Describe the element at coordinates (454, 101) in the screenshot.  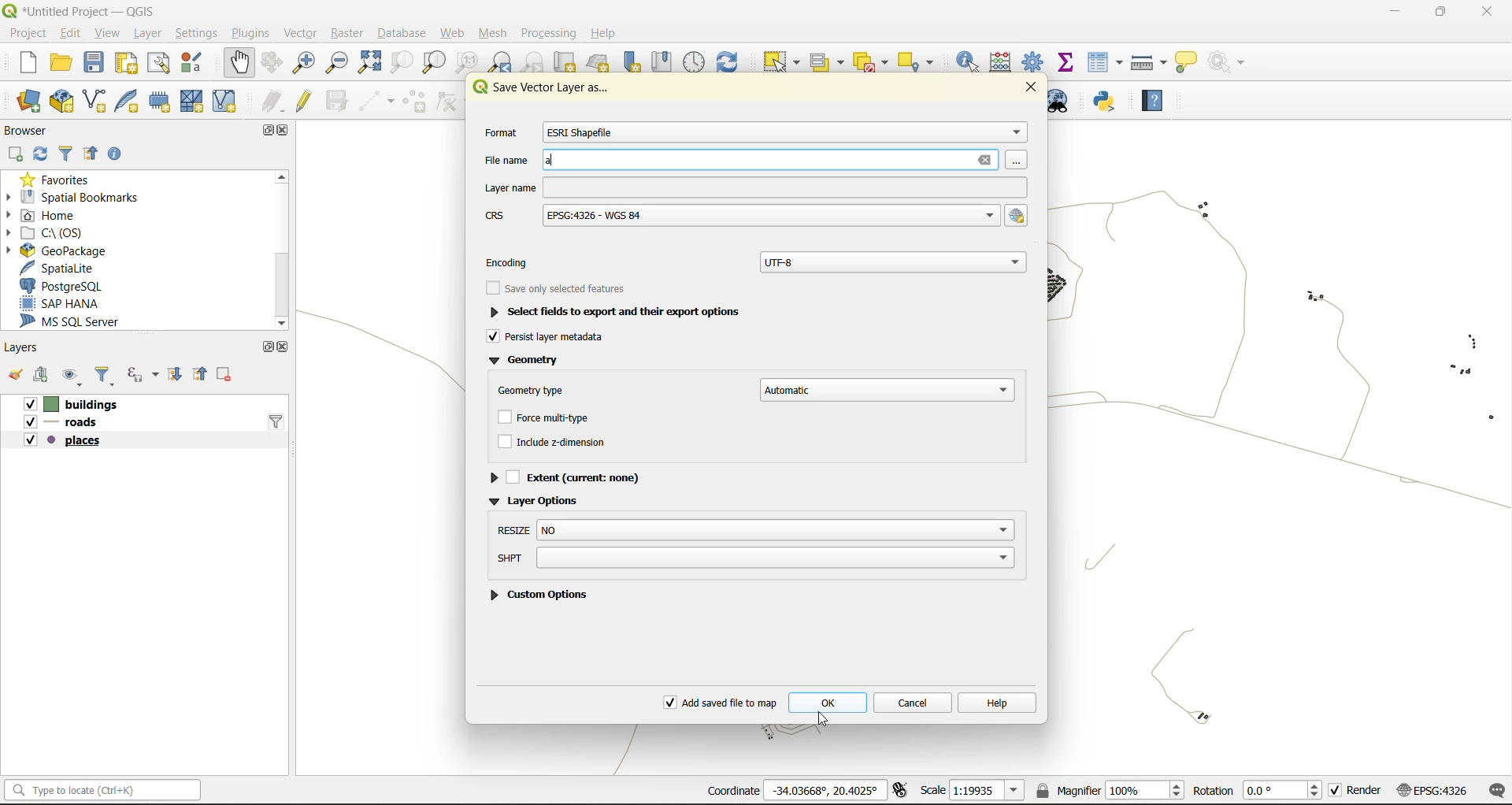
I see `vertex tools` at that location.